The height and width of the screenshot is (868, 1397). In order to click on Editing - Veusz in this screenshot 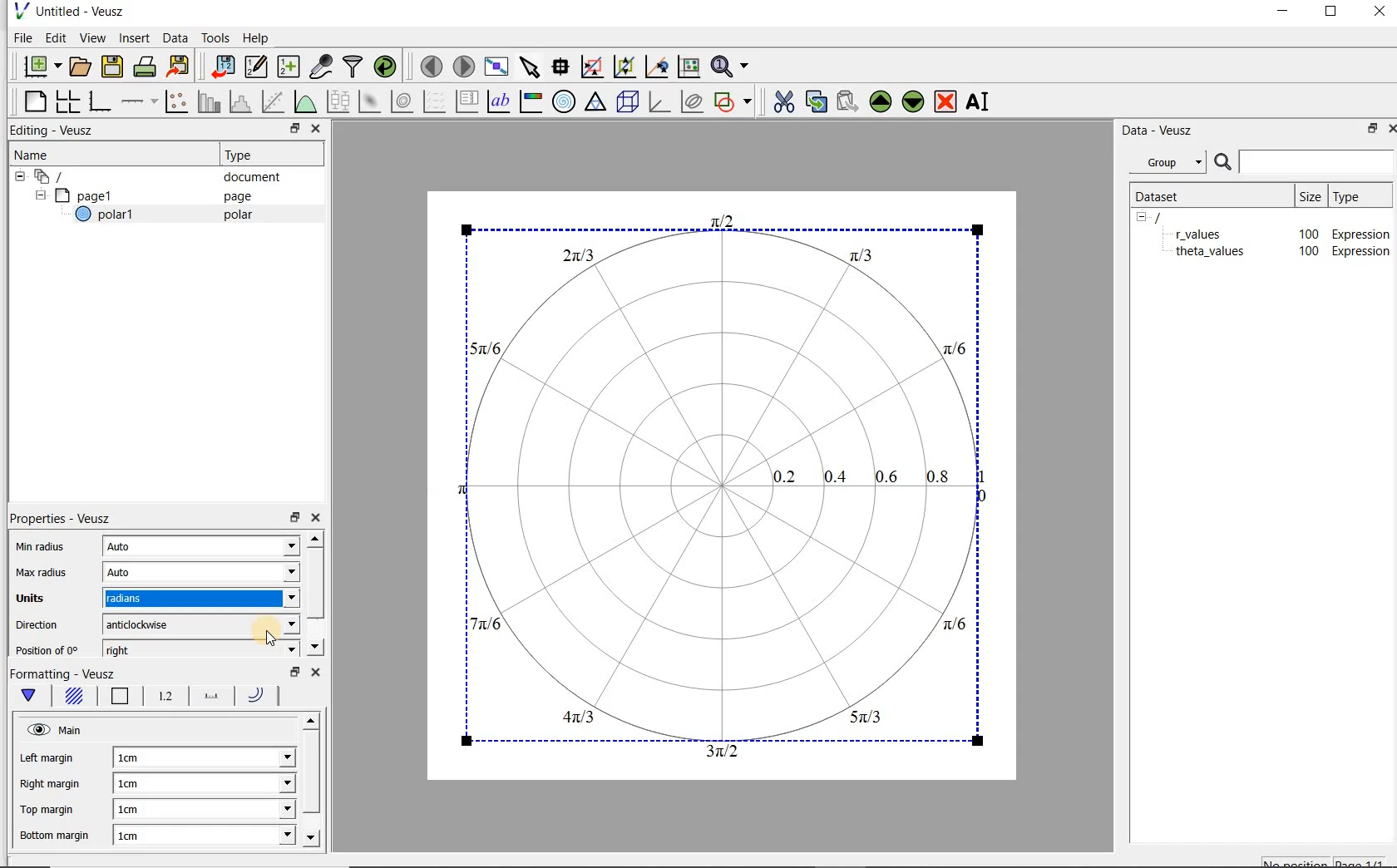, I will do `click(56, 131)`.